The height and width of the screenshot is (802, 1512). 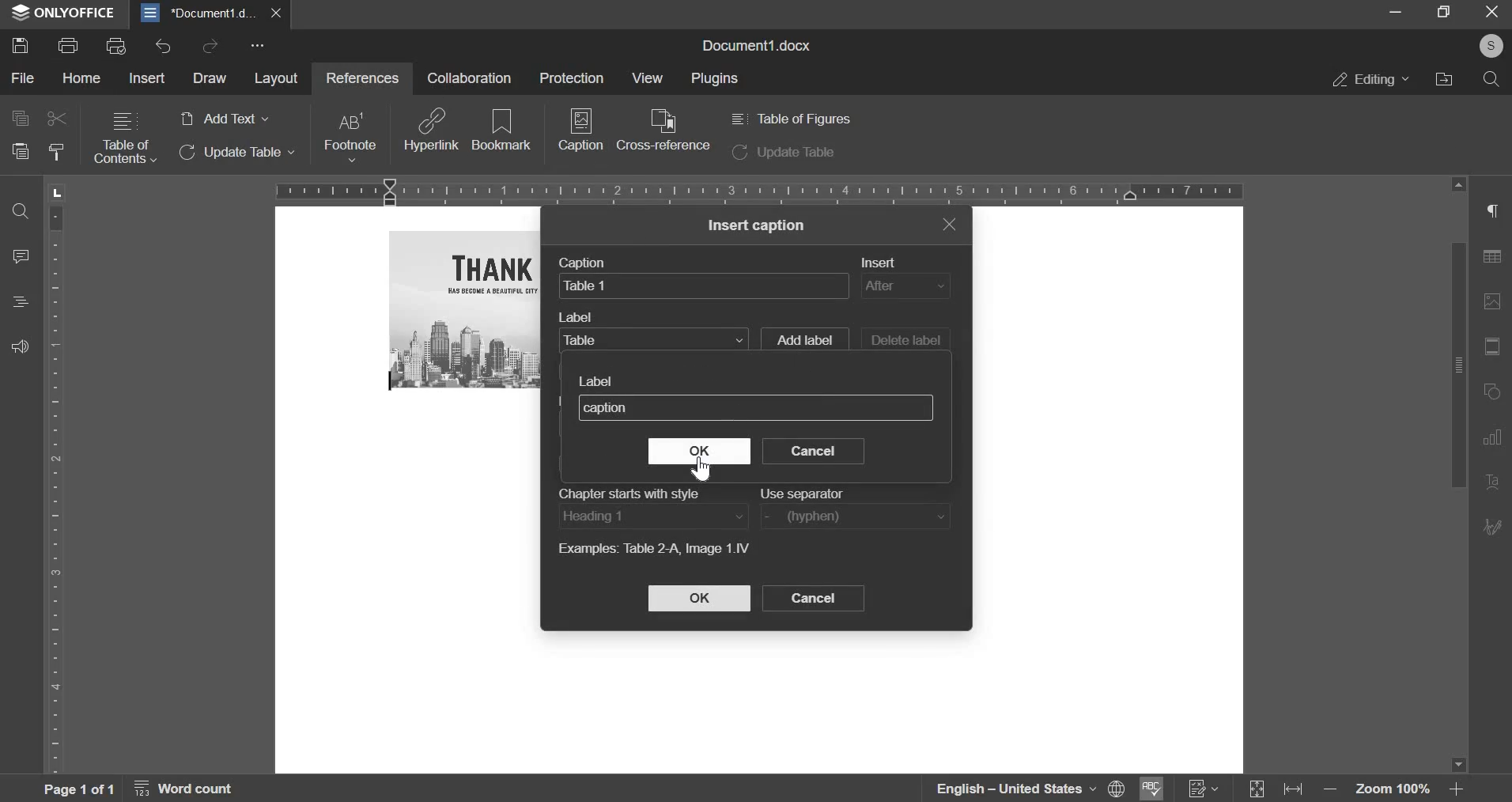 I want to click on ONLYOFFICE, so click(x=63, y=13).